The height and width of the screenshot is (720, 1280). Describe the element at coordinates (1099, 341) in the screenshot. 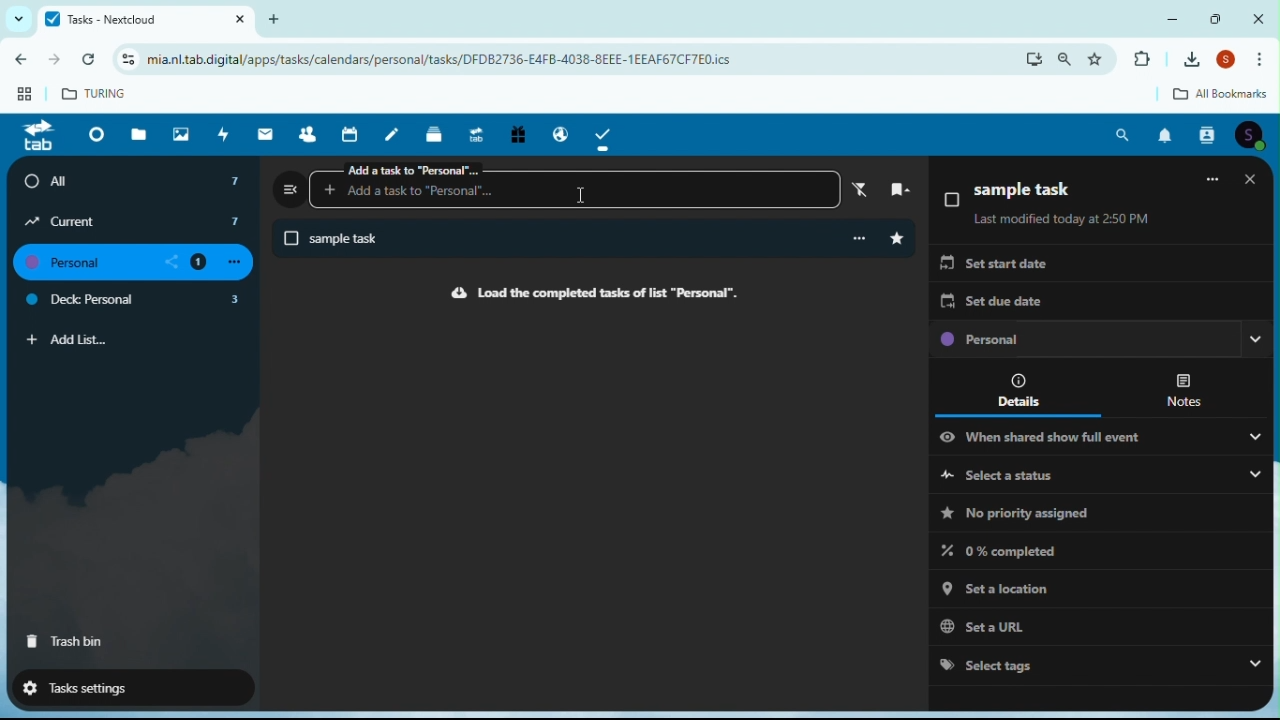

I see `Personal` at that location.